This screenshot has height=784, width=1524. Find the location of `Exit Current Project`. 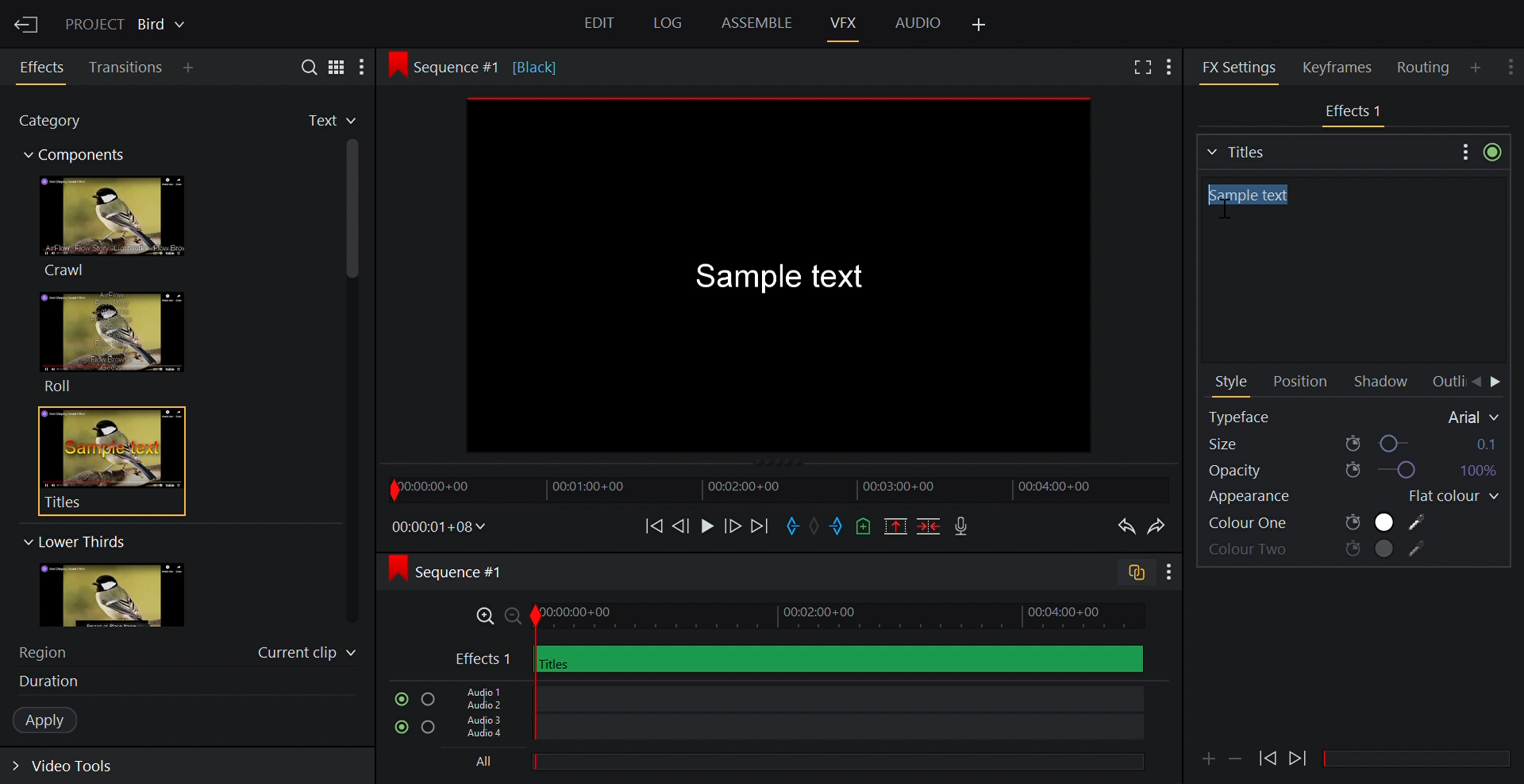

Exit Current Project is located at coordinates (28, 22).